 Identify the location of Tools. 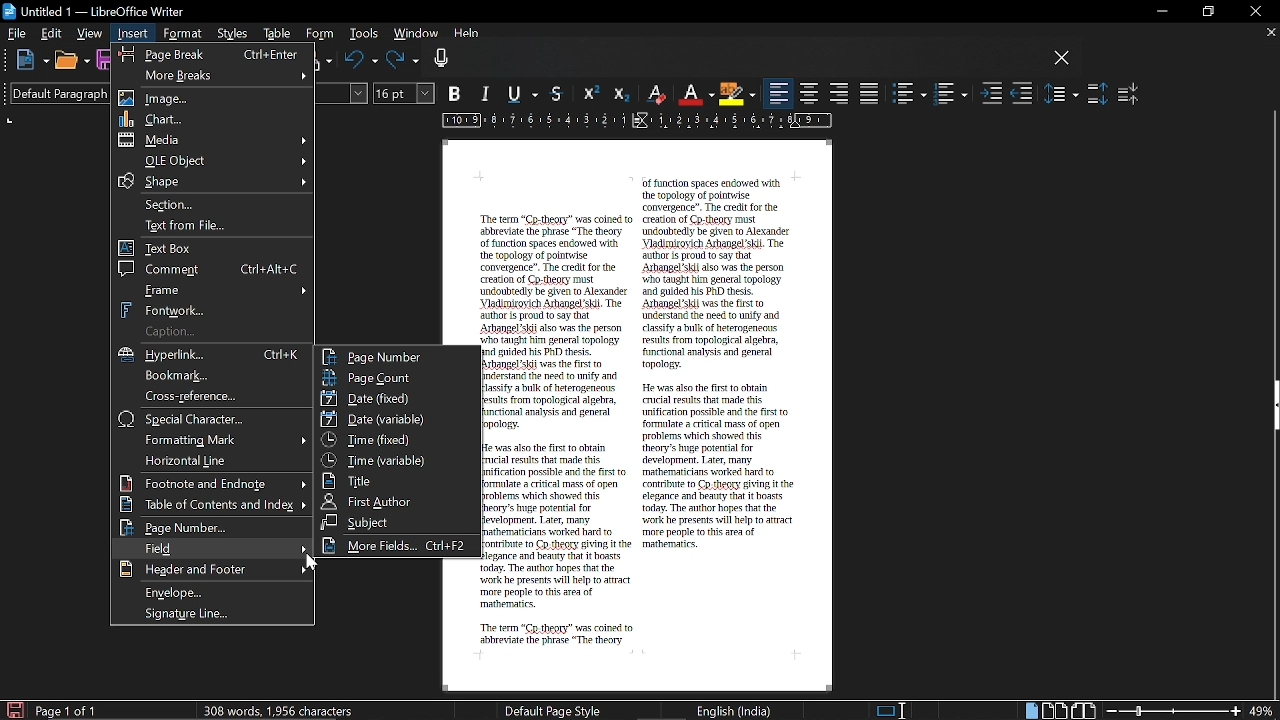
(362, 35).